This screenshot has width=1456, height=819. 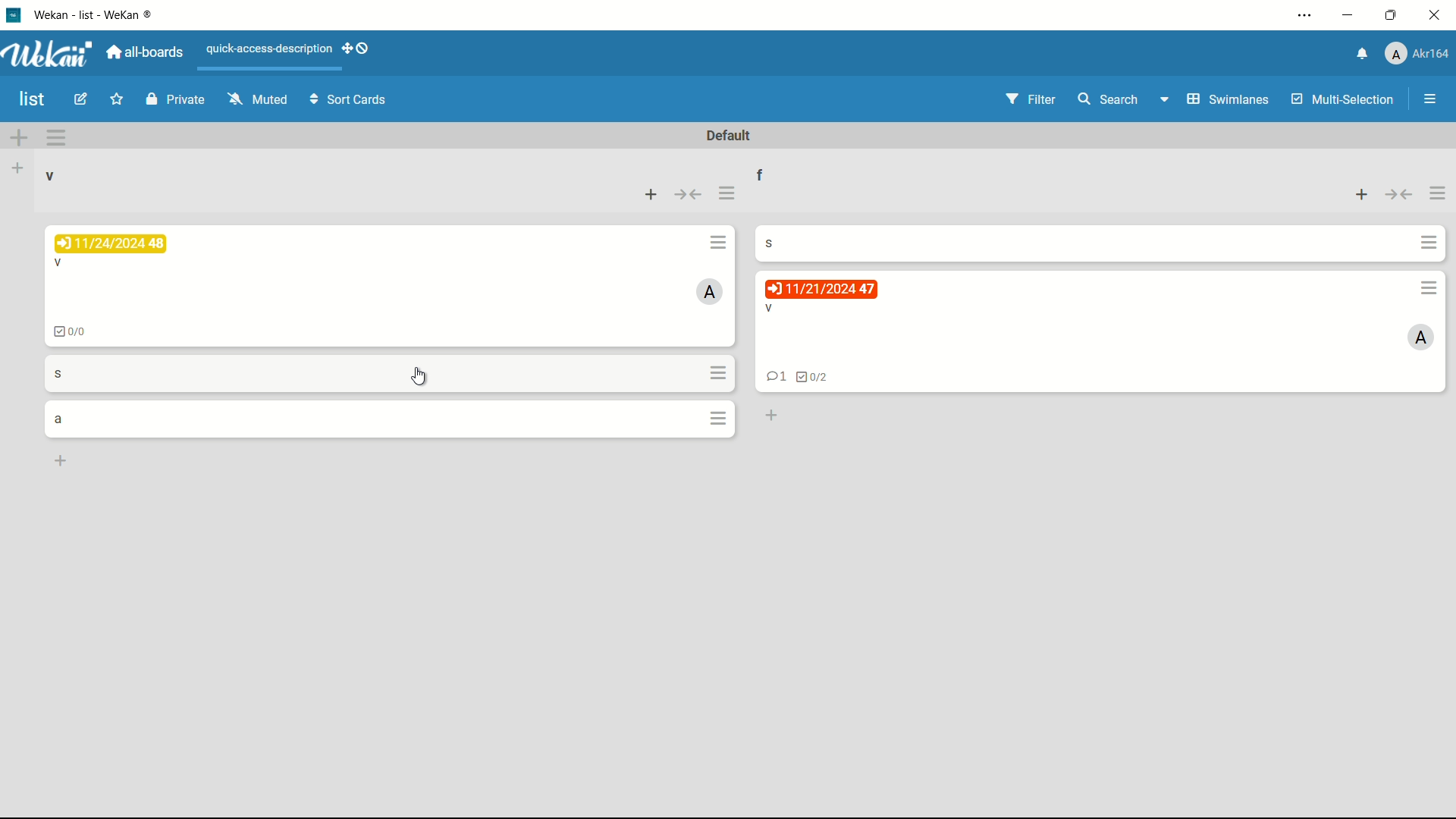 What do you see at coordinates (1363, 195) in the screenshot?
I see `add card to top of list` at bounding box center [1363, 195].